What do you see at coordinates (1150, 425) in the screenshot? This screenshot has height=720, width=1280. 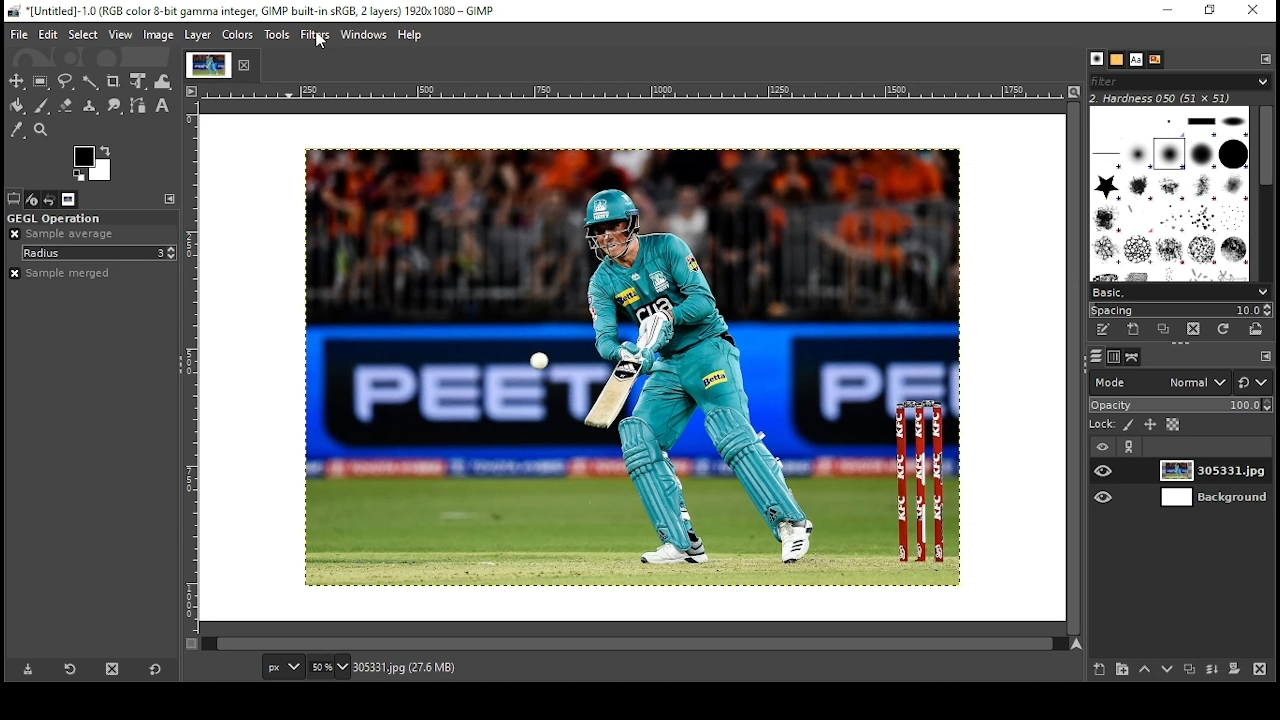 I see `lock position and size` at bounding box center [1150, 425].